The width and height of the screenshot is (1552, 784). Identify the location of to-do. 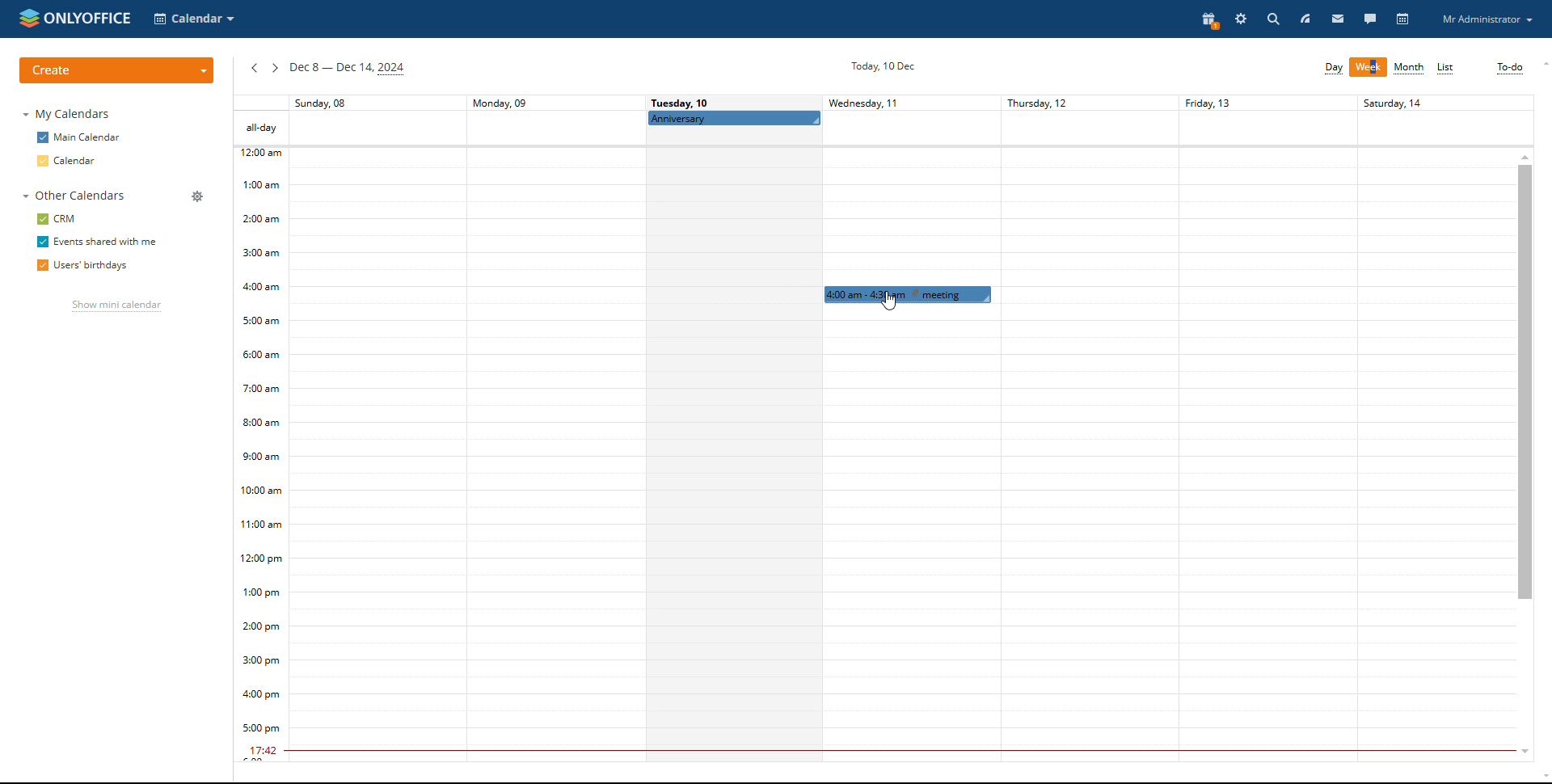
(1510, 68).